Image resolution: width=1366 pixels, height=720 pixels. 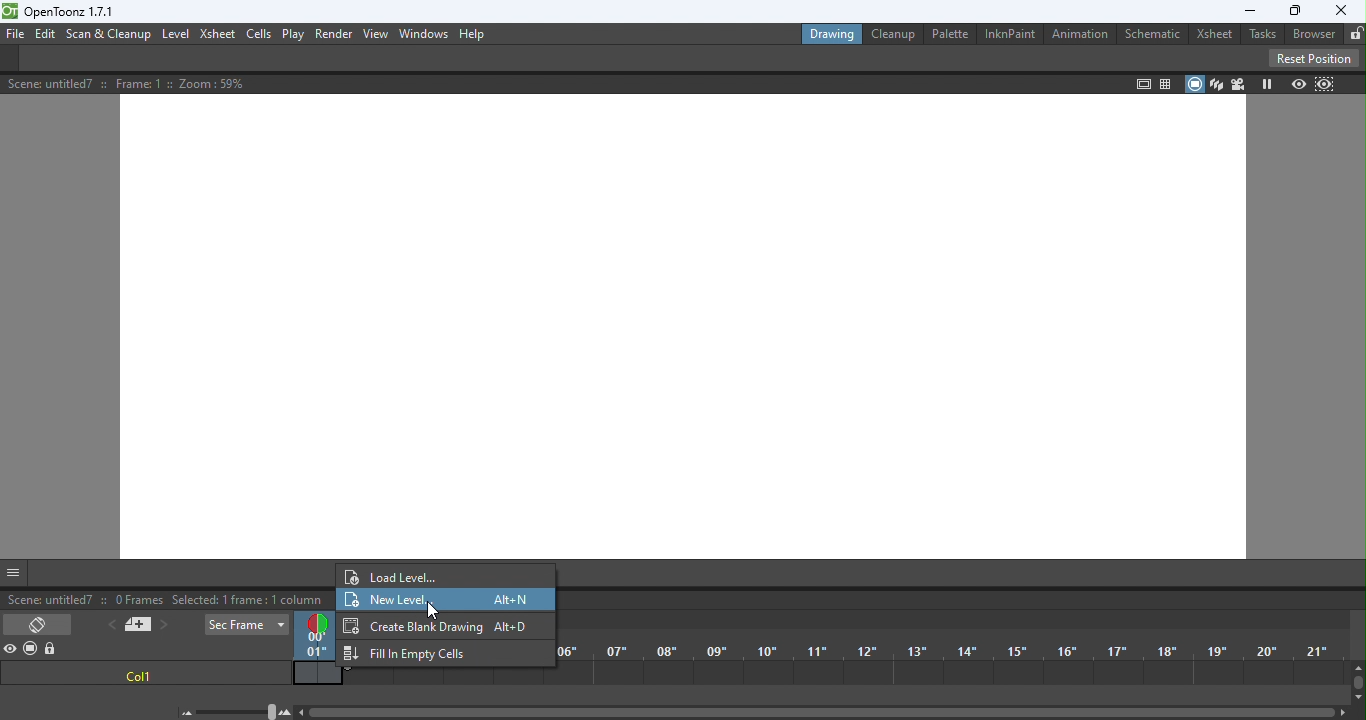 I want to click on Sec Frame, so click(x=247, y=626).